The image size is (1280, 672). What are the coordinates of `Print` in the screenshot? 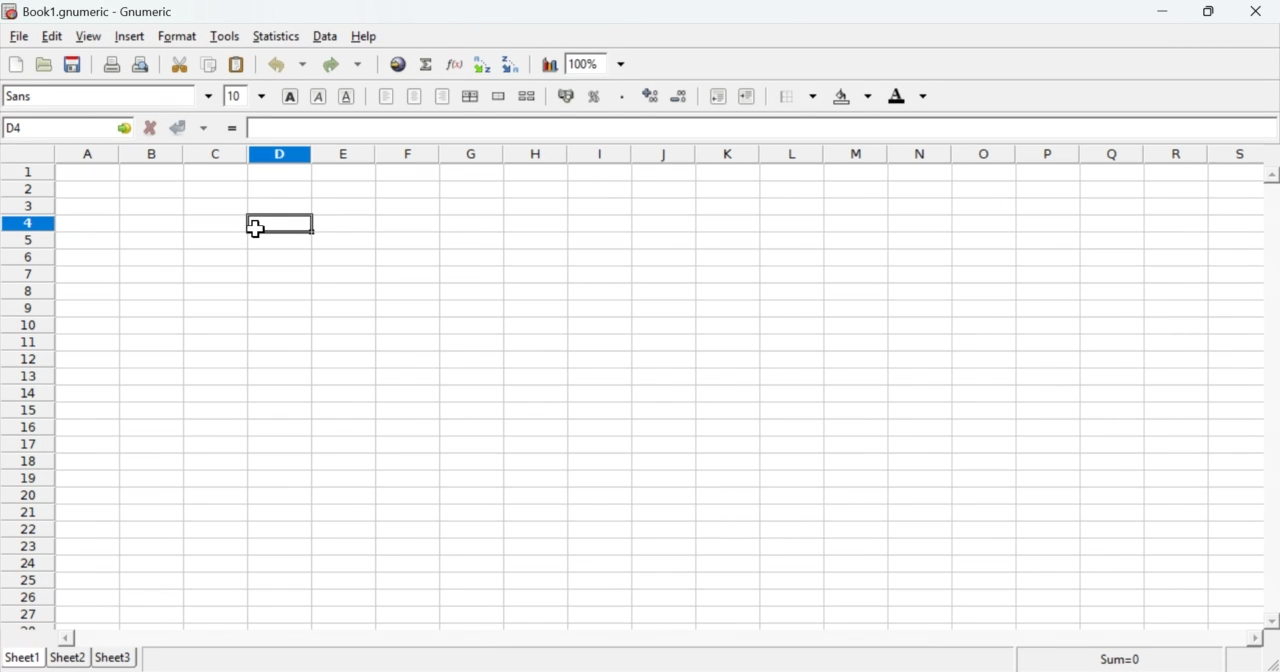 It's located at (113, 65).